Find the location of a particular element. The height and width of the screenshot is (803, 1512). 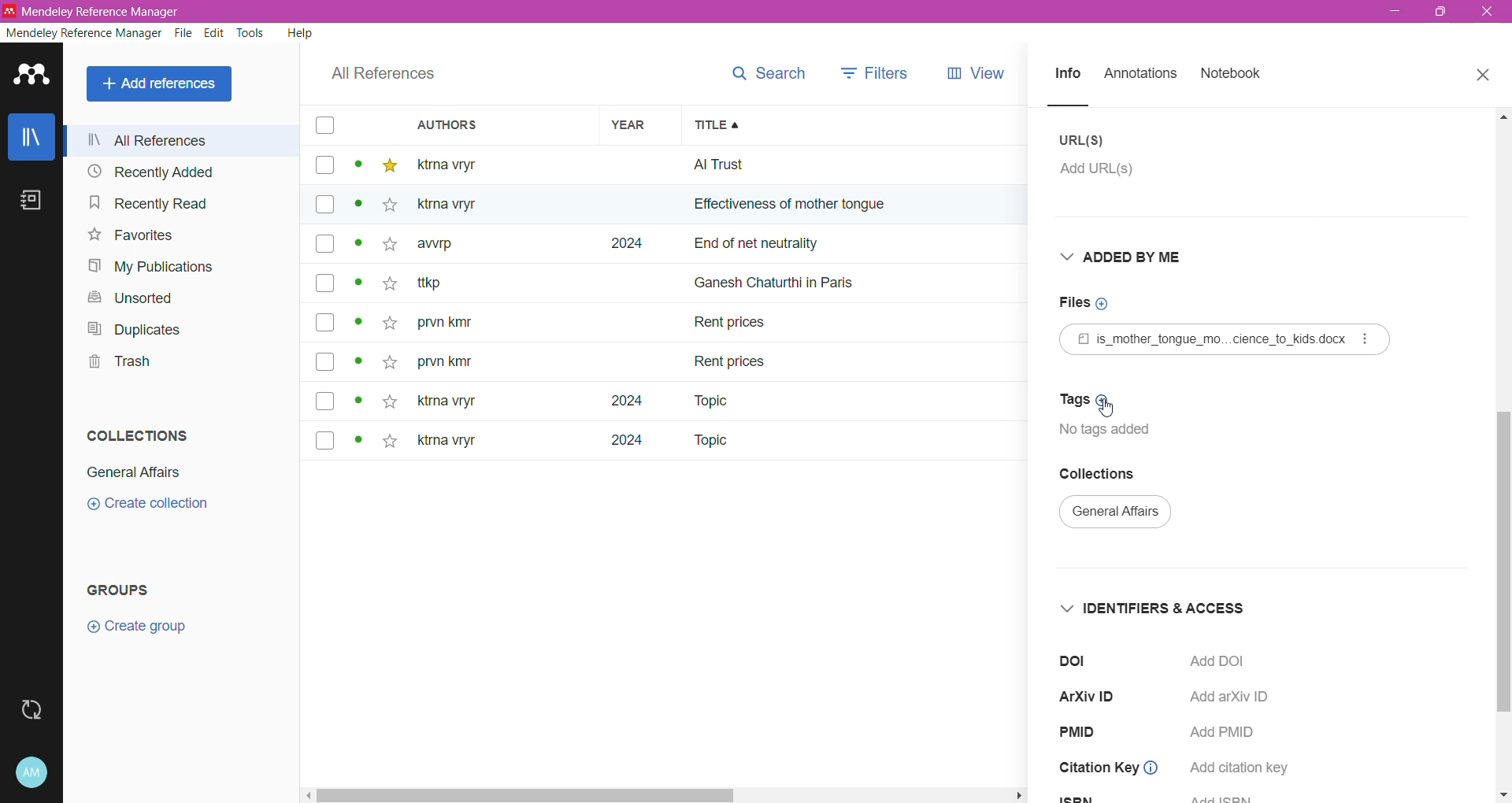

Info is located at coordinates (1066, 75).